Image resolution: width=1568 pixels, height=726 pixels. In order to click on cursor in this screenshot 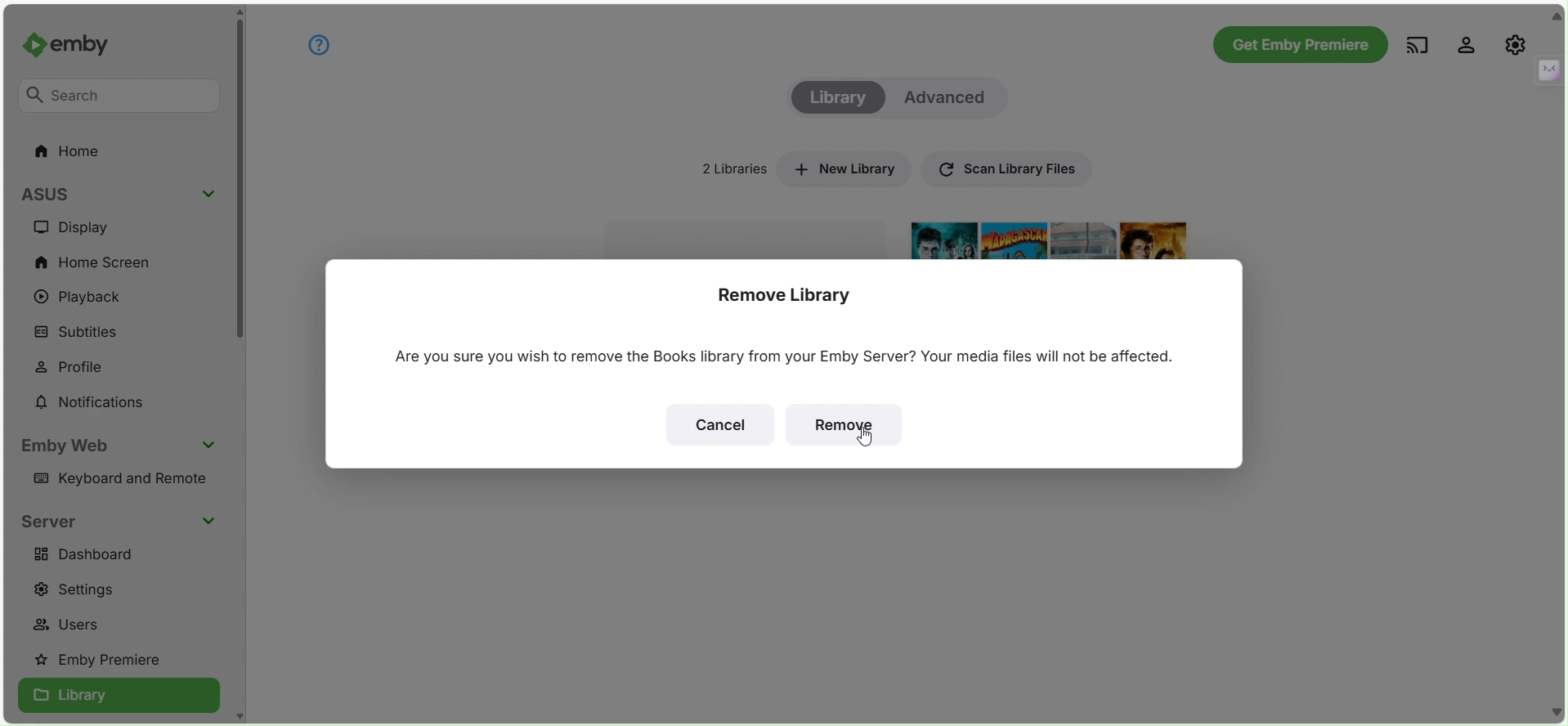, I will do `click(862, 439)`.